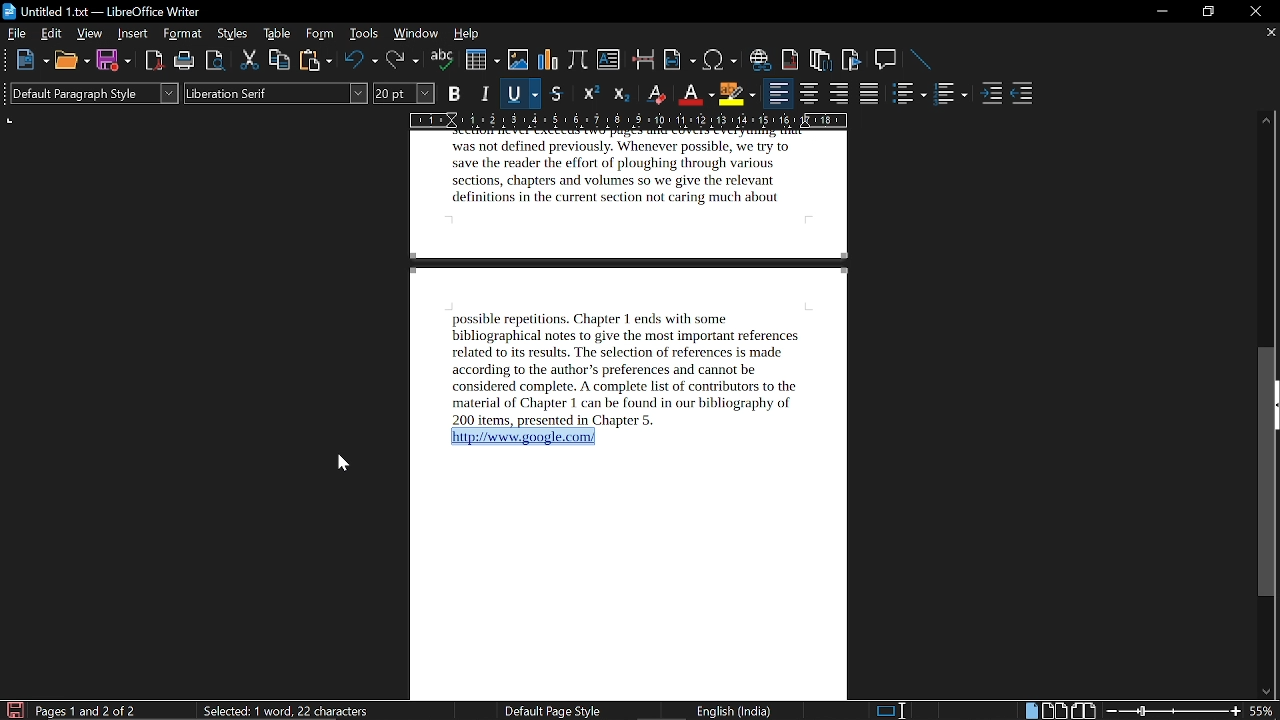 The height and width of the screenshot is (720, 1280). I want to click on toggle ordered list, so click(910, 95).